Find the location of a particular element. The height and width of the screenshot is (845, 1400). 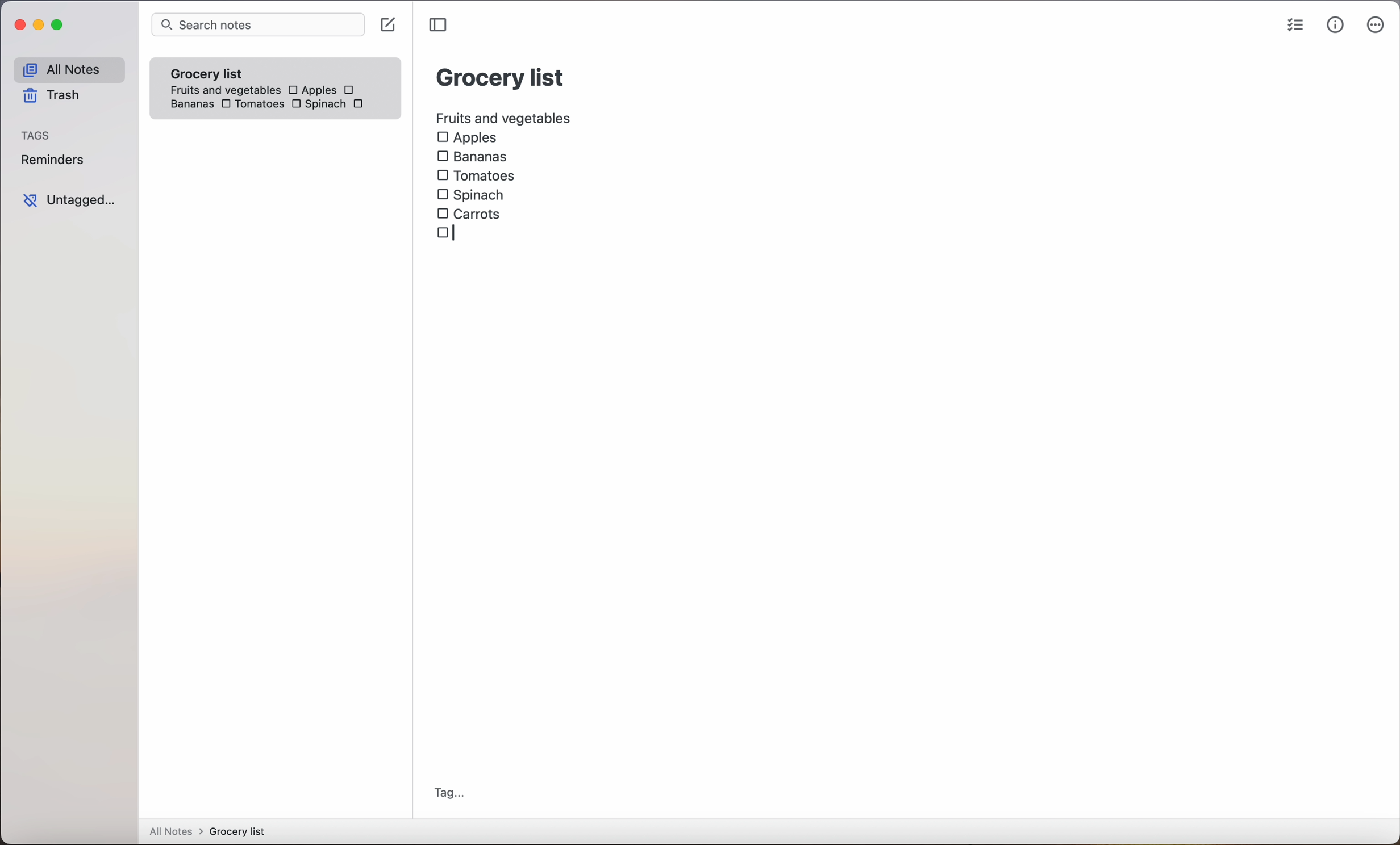

untagged is located at coordinates (69, 200).